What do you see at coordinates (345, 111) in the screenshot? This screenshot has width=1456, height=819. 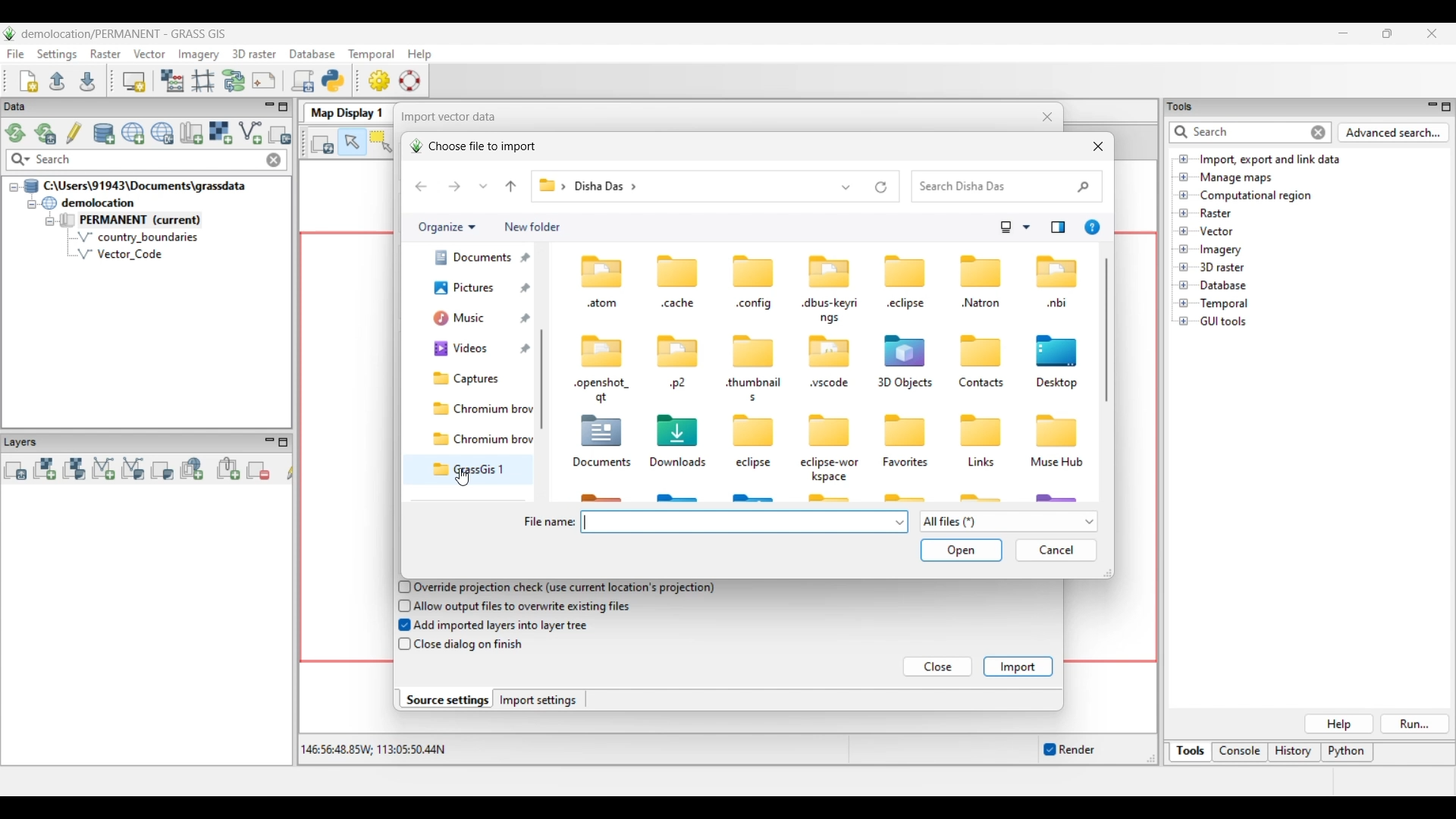 I see `Map Display 1 tab` at bounding box center [345, 111].